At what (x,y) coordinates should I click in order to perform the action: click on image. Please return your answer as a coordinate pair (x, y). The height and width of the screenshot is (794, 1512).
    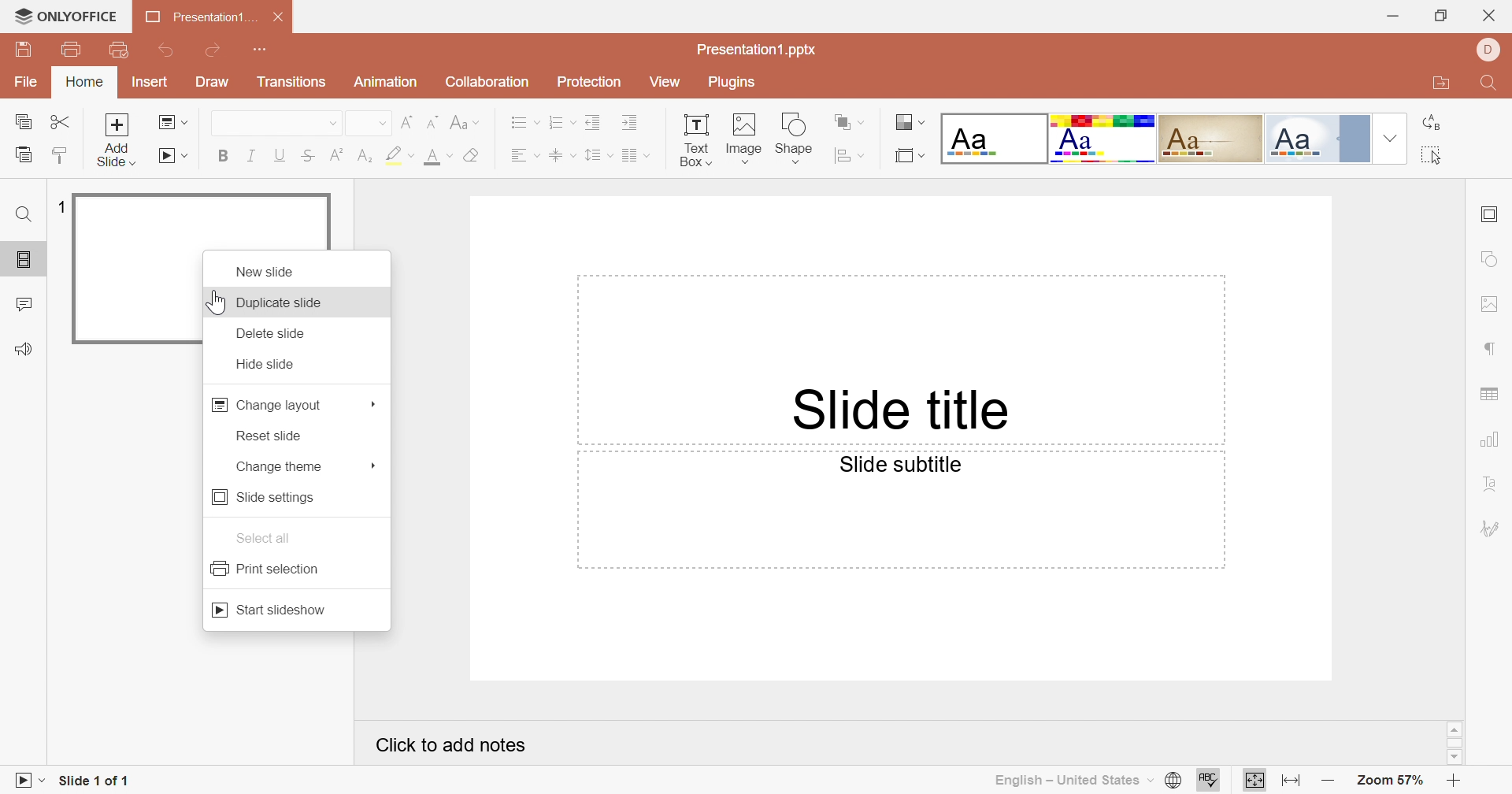
    Looking at the image, I should click on (746, 138).